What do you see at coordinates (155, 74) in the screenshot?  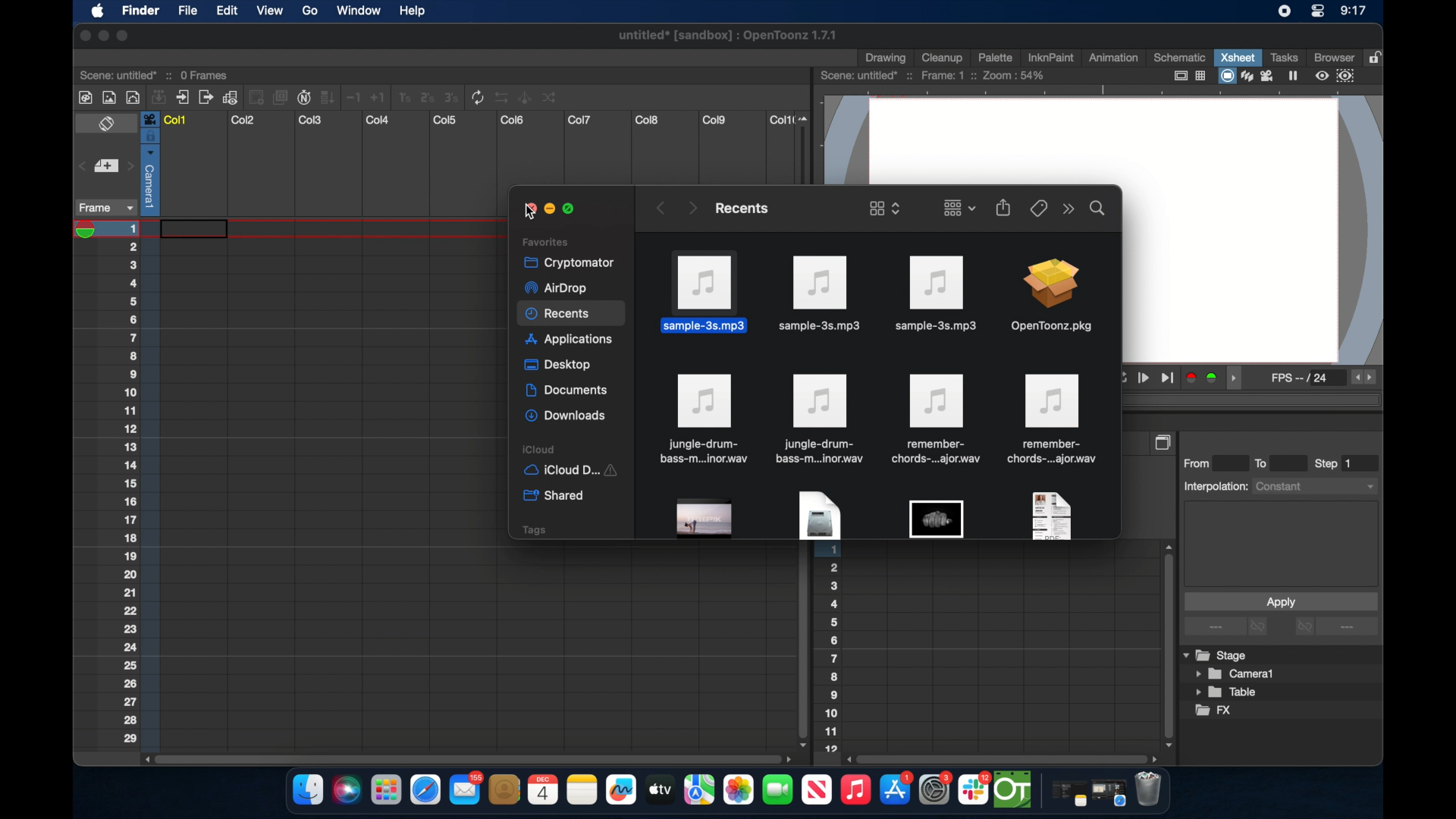 I see `scene` at bounding box center [155, 74].